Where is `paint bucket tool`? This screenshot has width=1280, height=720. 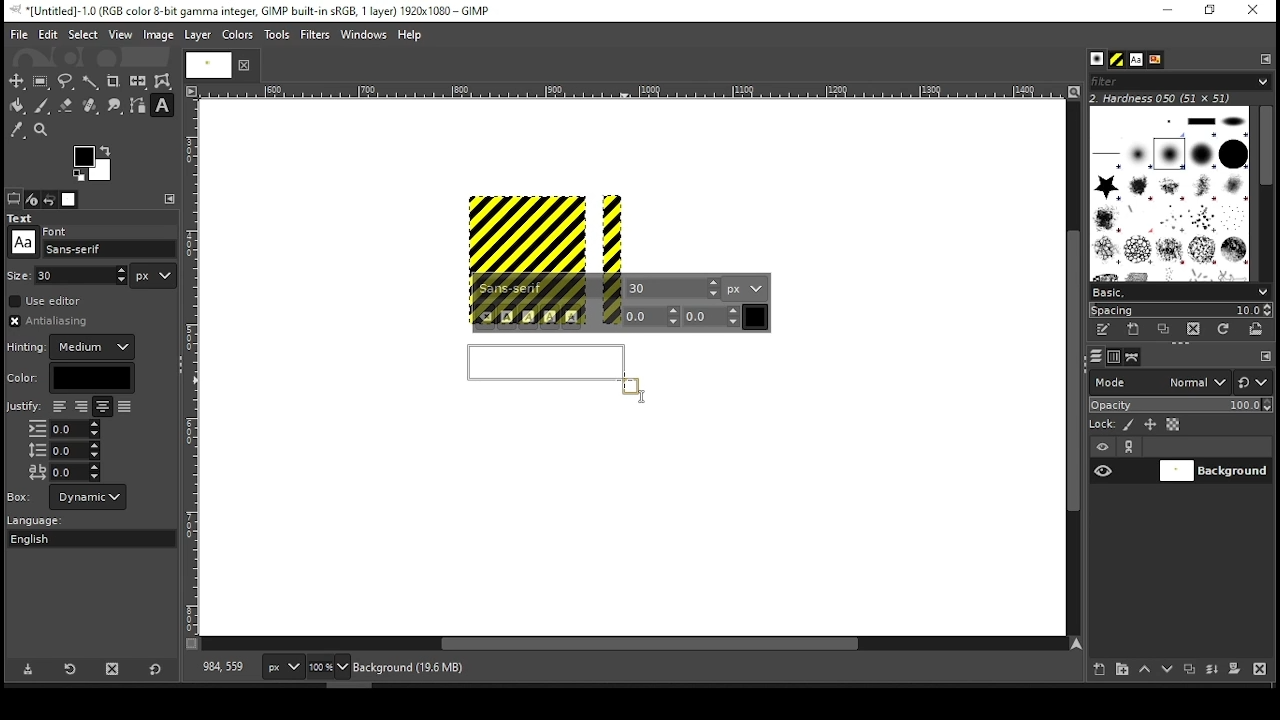 paint bucket tool is located at coordinates (18, 105).